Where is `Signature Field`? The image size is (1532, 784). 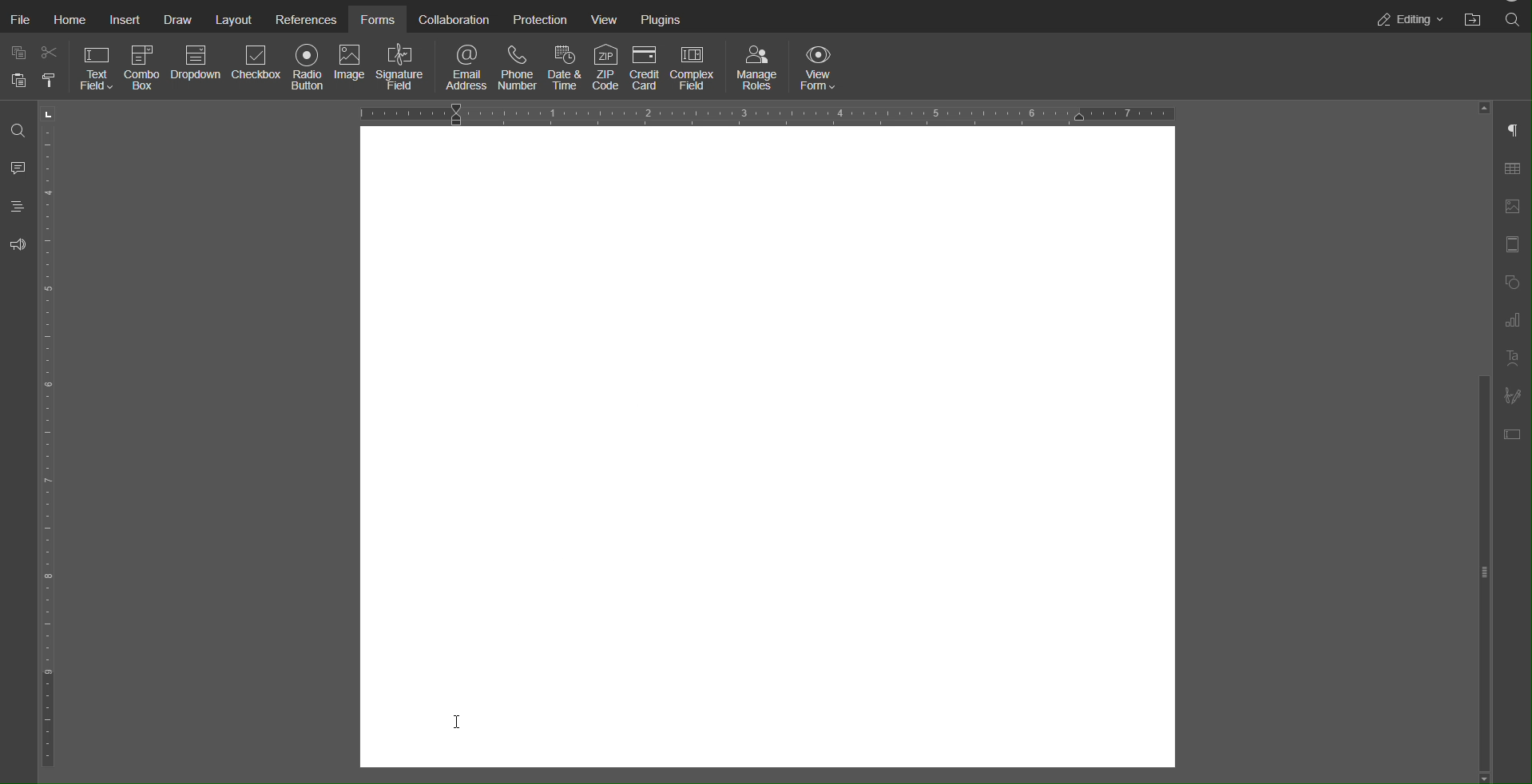
Signature Field is located at coordinates (405, 69).